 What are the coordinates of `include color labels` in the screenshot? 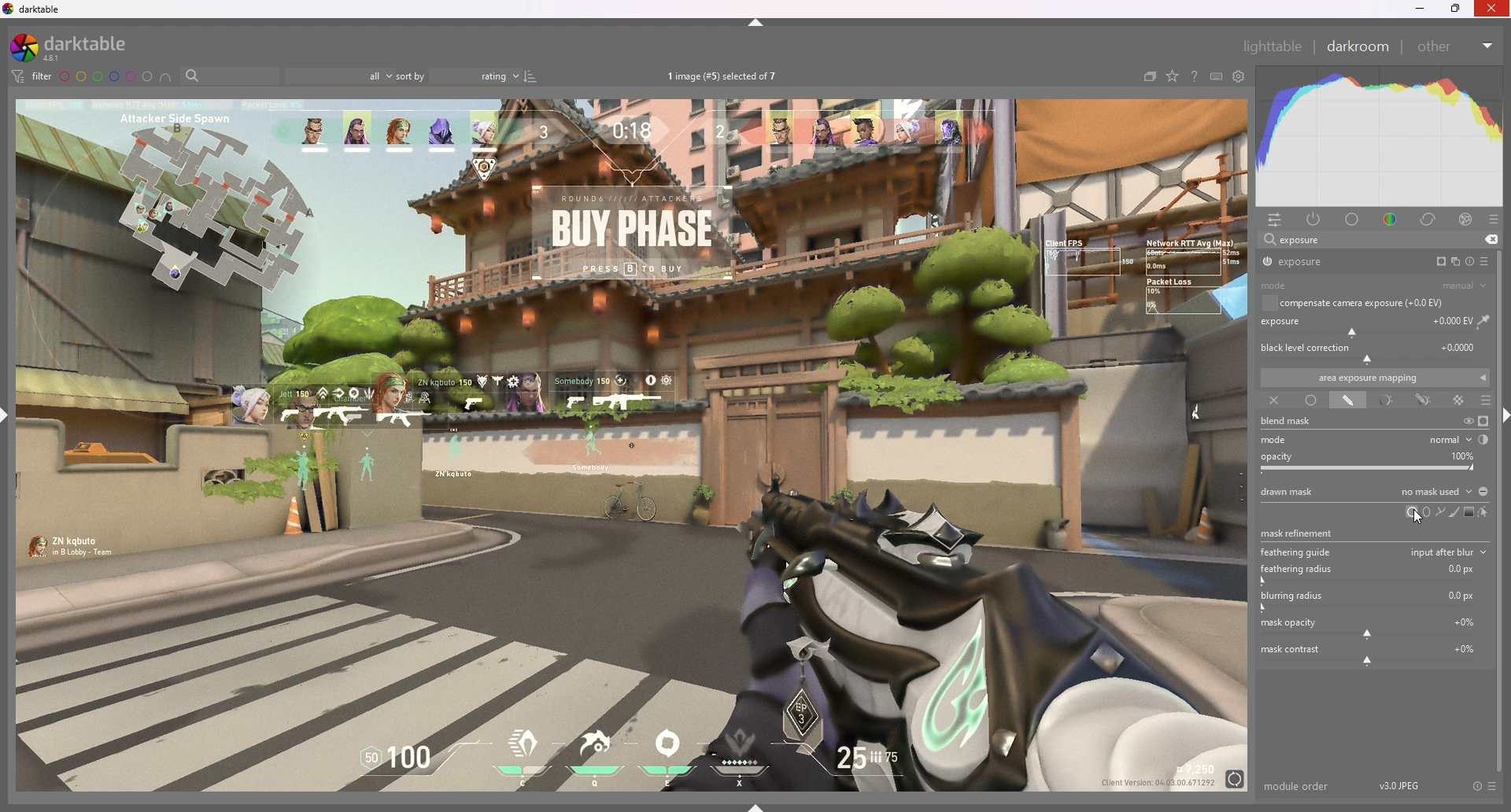 It's located at (168, 77).